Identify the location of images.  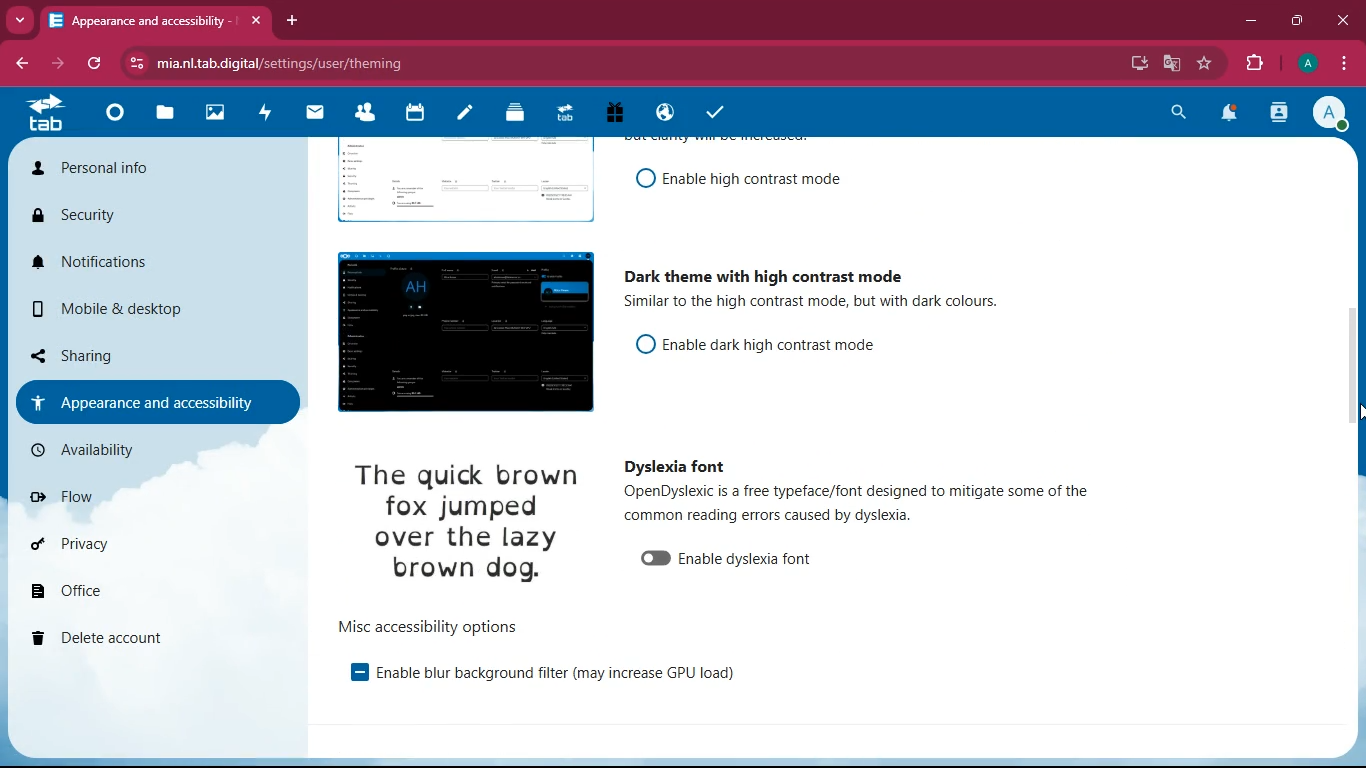
(219, 111).